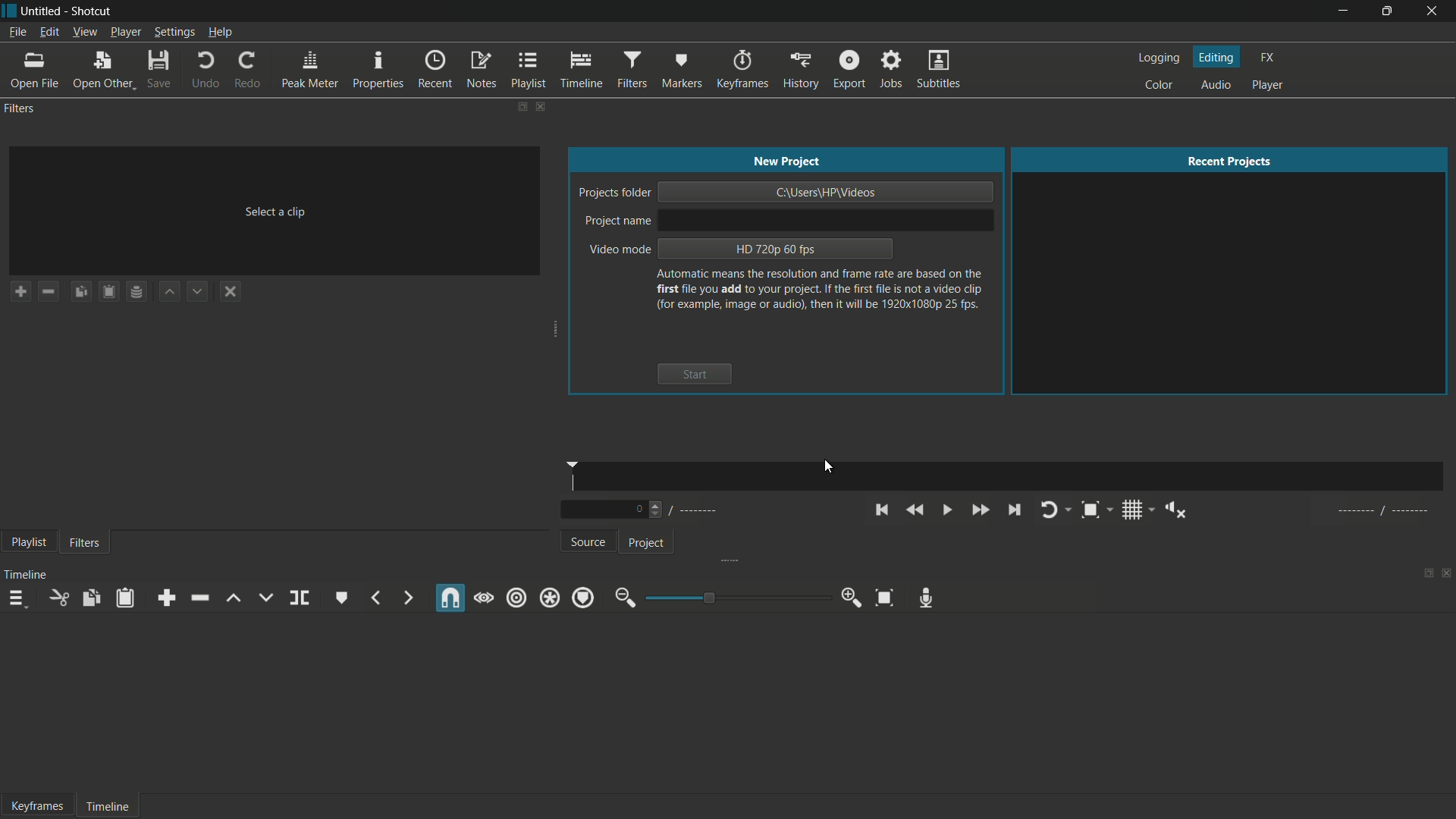 This screenshot has height=819, width=1456. I want to click on filters, so click(632, 71).